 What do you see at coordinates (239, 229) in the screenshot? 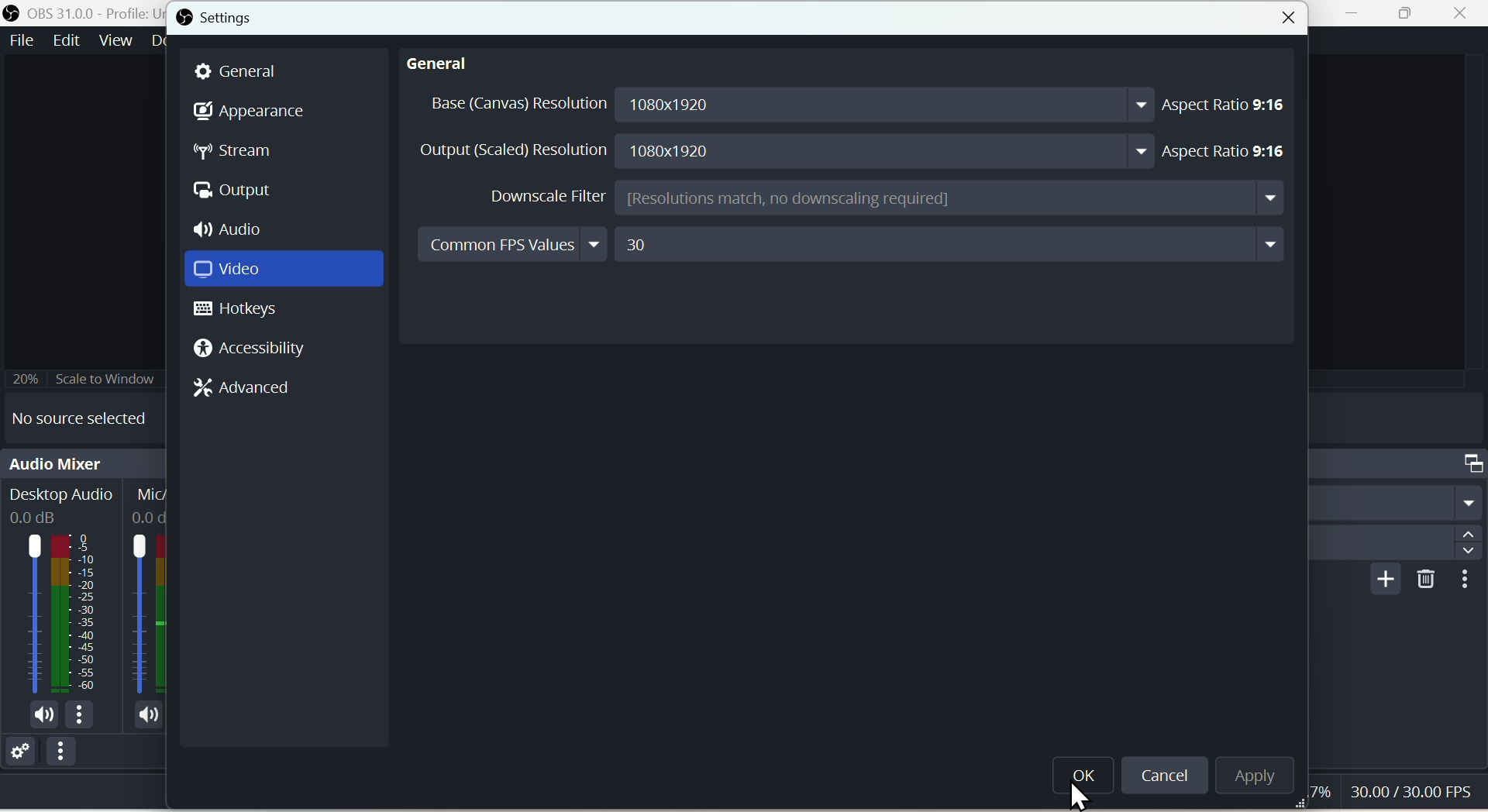
I see `Audio` at bounding box center [239, 229].